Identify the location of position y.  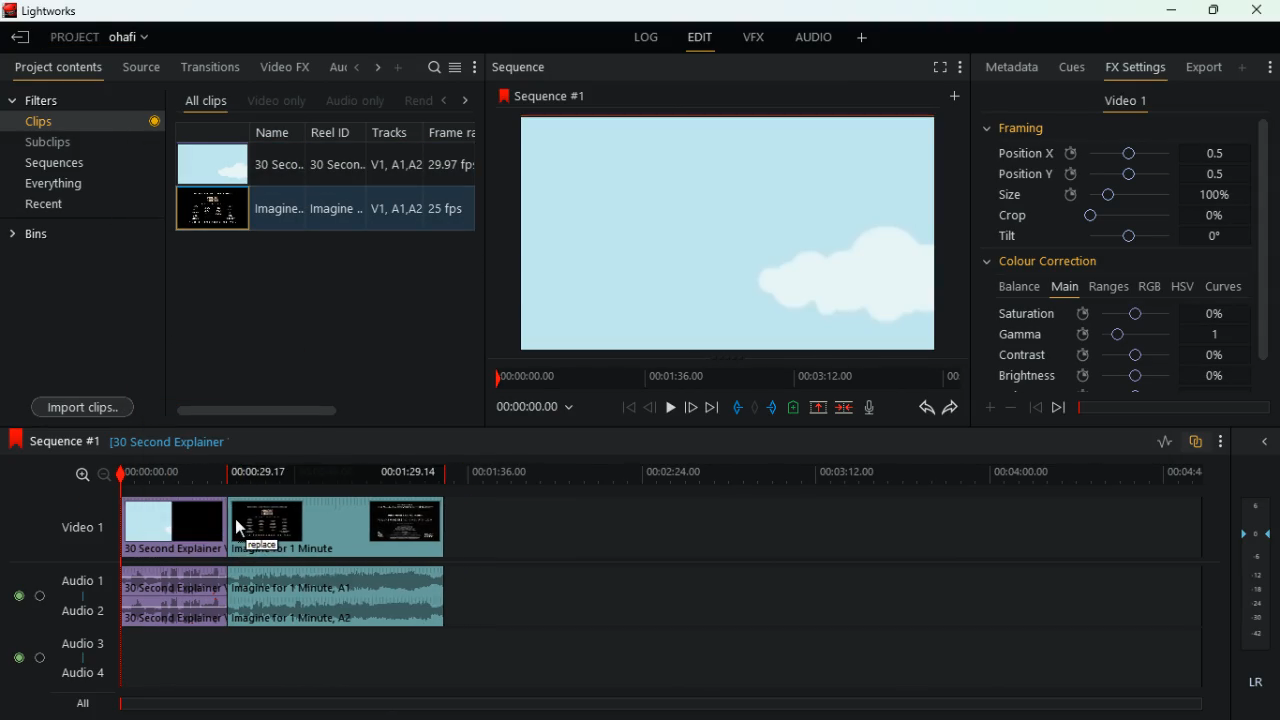
(1121, 173).